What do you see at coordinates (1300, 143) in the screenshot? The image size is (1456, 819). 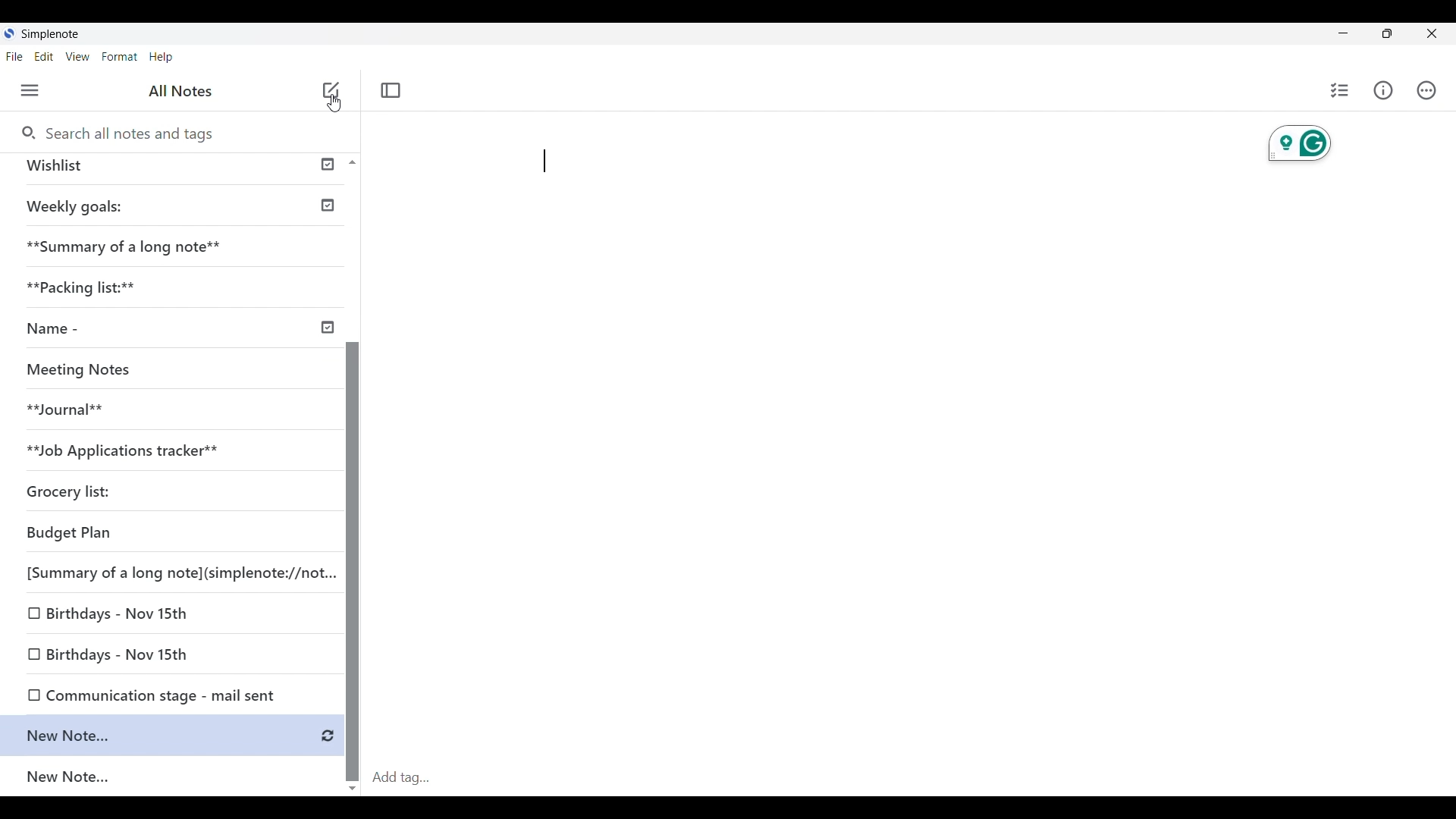 I see `Grammarly extension activated` at bounding box center [1300, 143].